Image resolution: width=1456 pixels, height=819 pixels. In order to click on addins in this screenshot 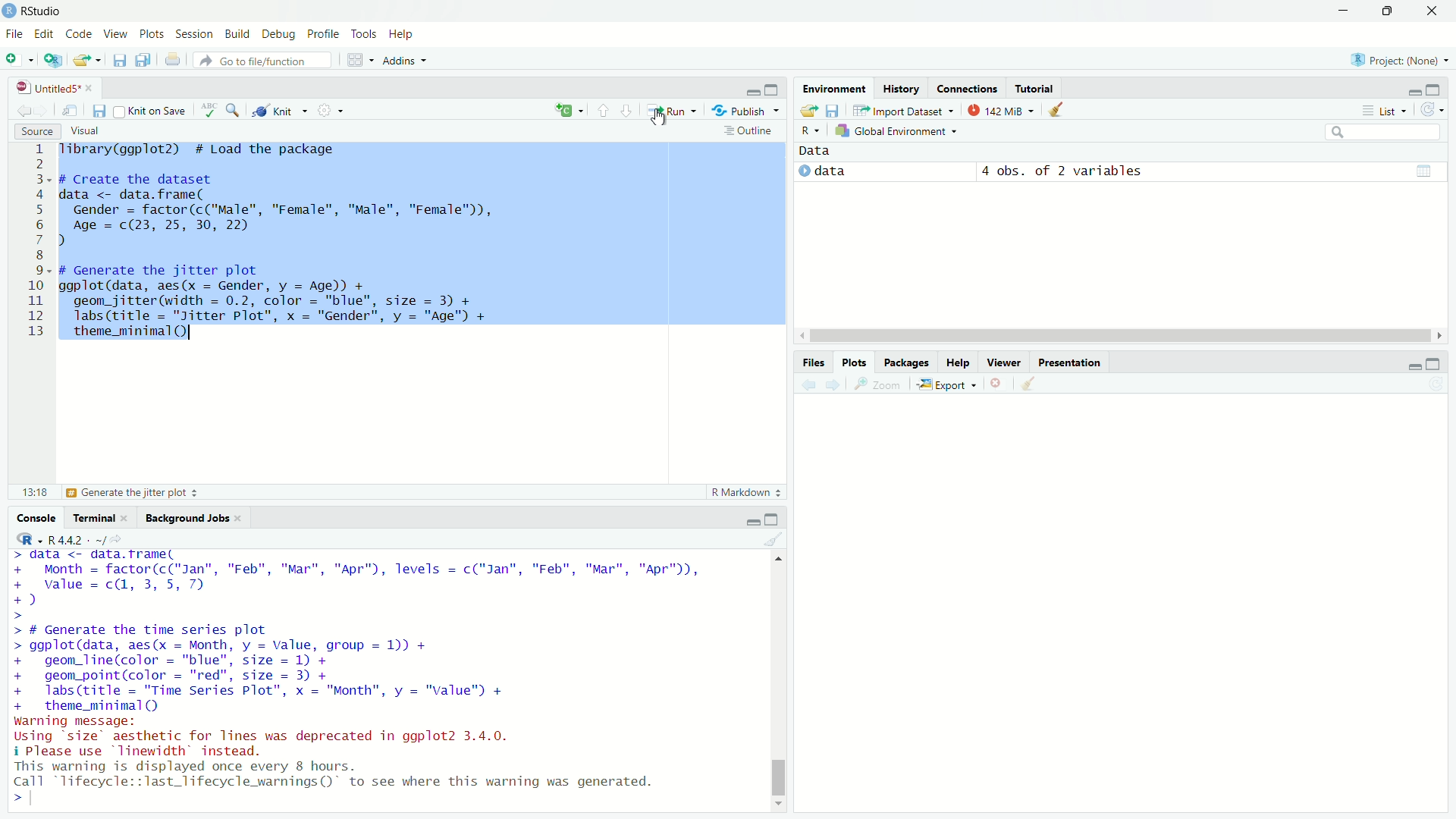, I will do `click(405, 60)`.